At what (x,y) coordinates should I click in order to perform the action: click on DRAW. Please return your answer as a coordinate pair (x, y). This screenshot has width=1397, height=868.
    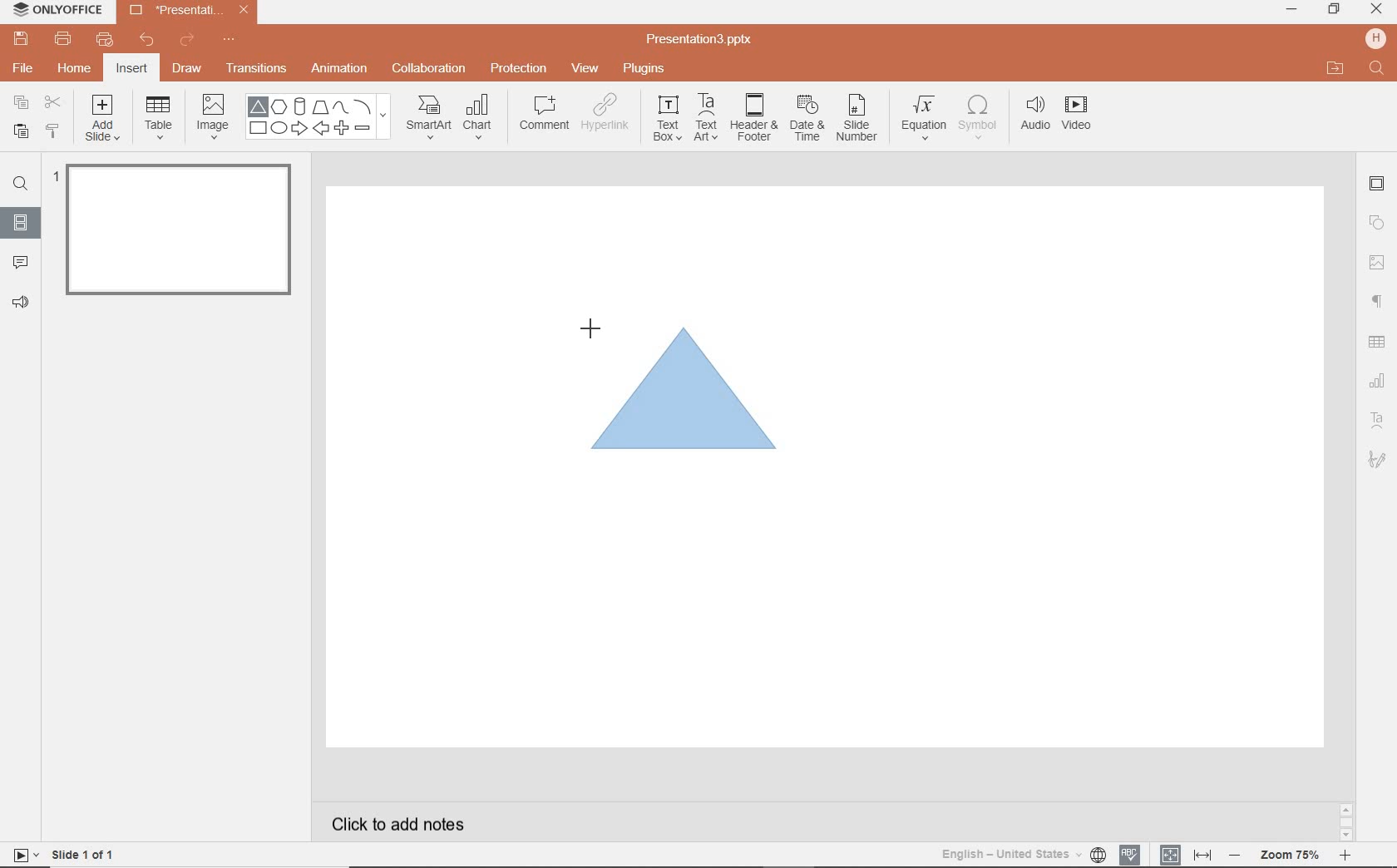
    Looking at the image, I should click on (188, 70).